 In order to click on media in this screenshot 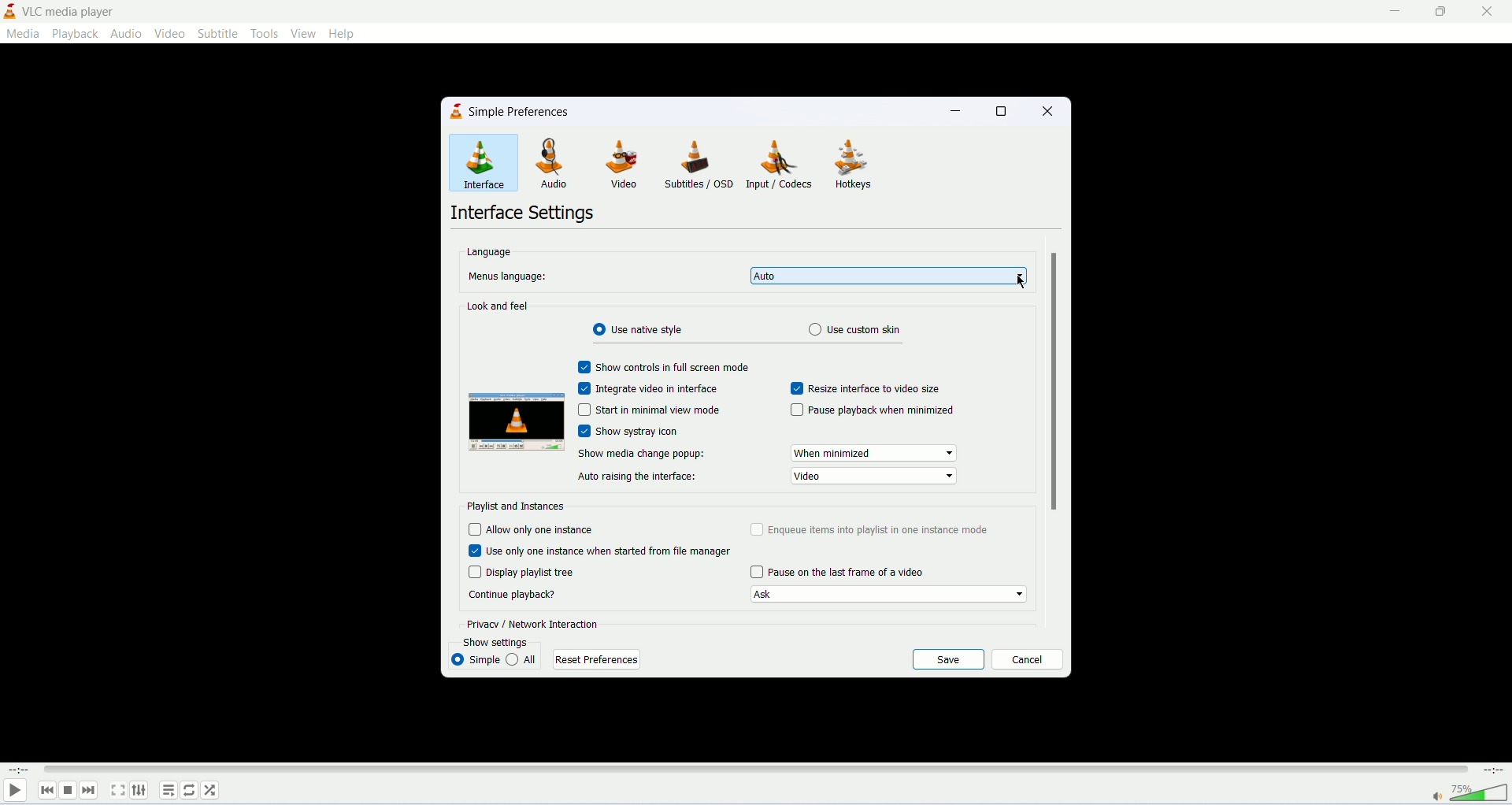, I will do `click(22, 35)`.